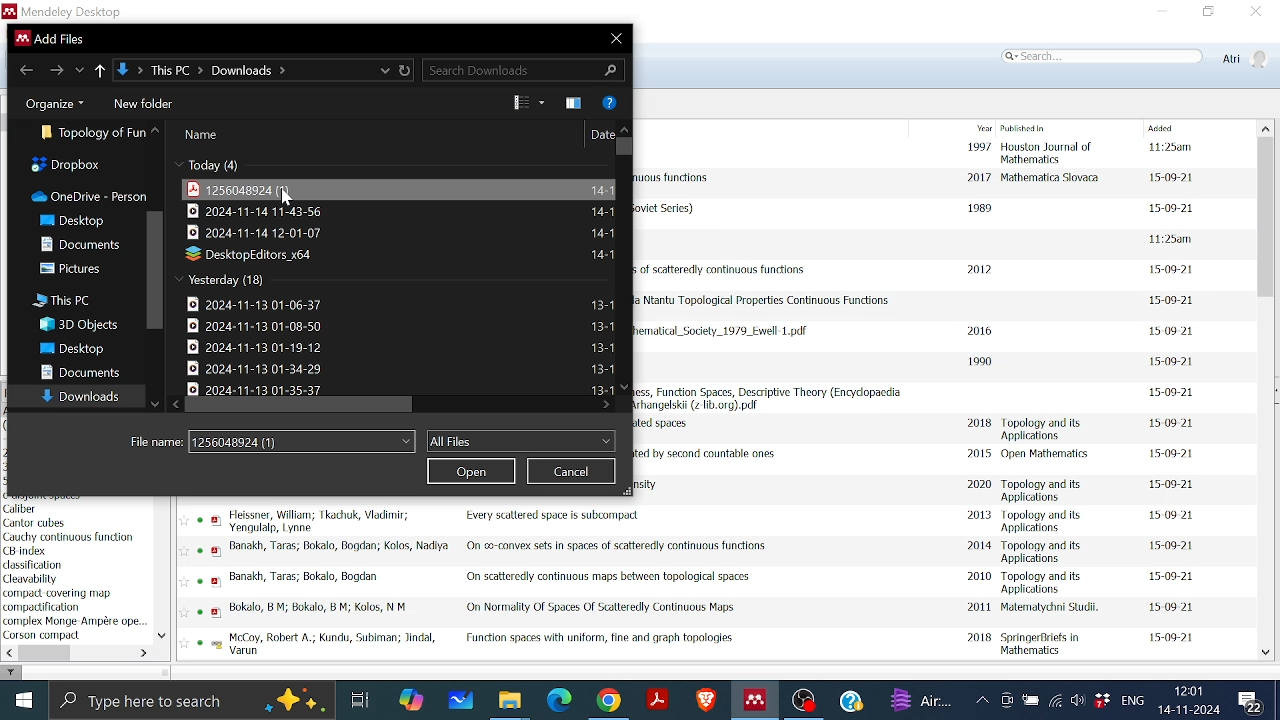 Image resolution: width=1280 pixels, height=720 pixels. Describe the element at coordinates (184, 583) in the screenshot. I see `Favourite` at that location.